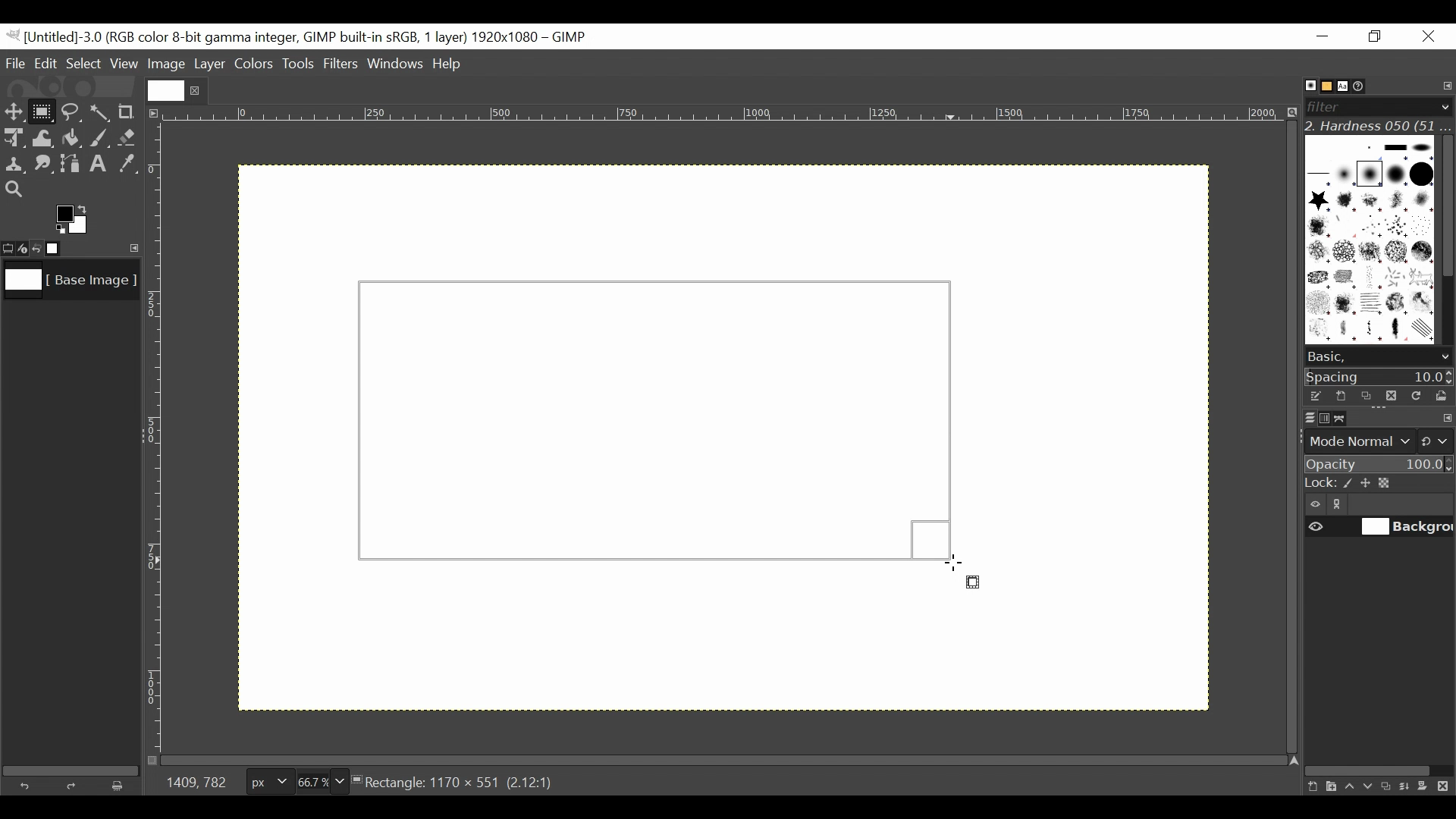 The height and width of the screenshot is (819, 1456). I want to click on Vertical scroll bar, so click(1447, 204).